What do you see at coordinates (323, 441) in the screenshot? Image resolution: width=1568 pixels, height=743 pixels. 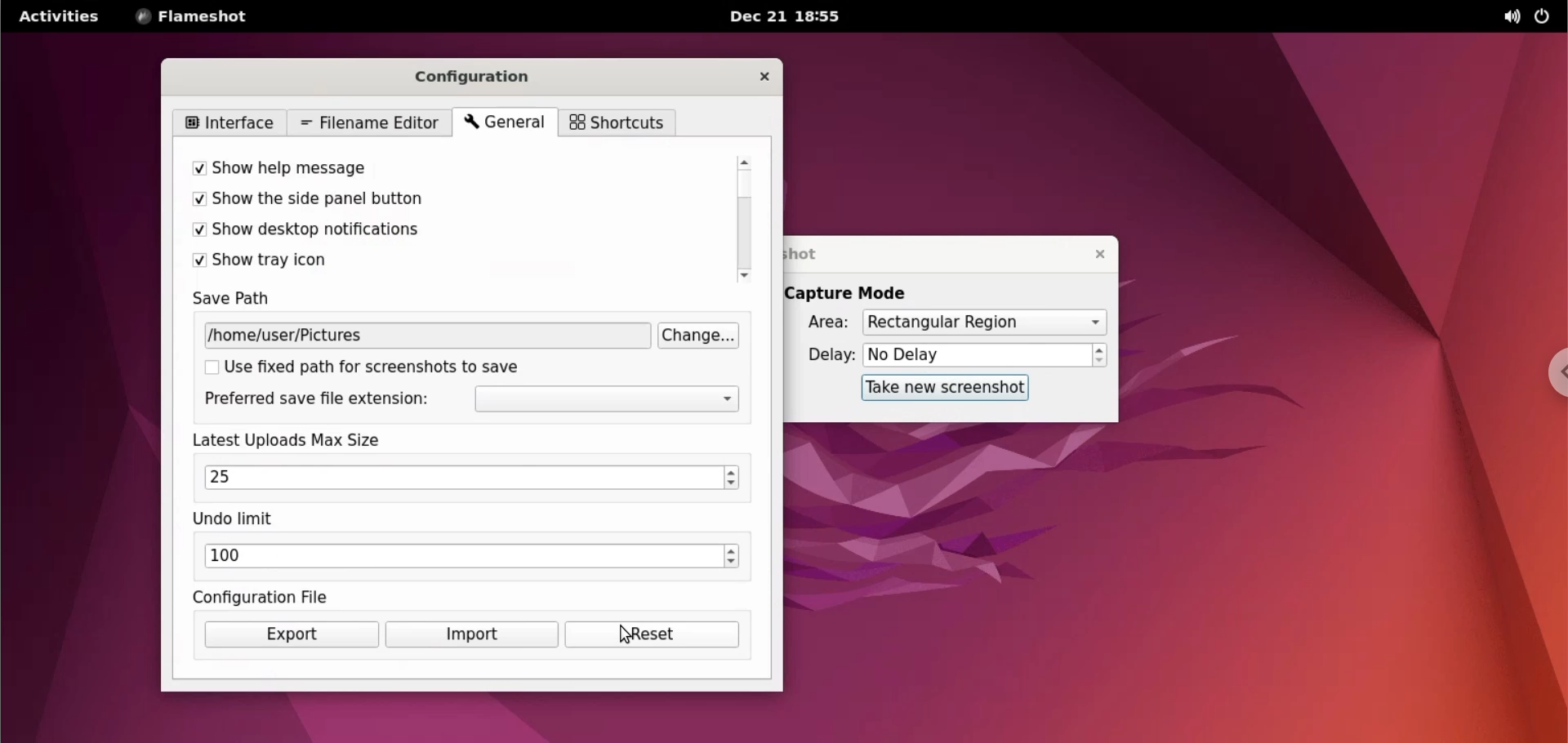 I see `latest uploads max size` at bounding box center [323, 441].